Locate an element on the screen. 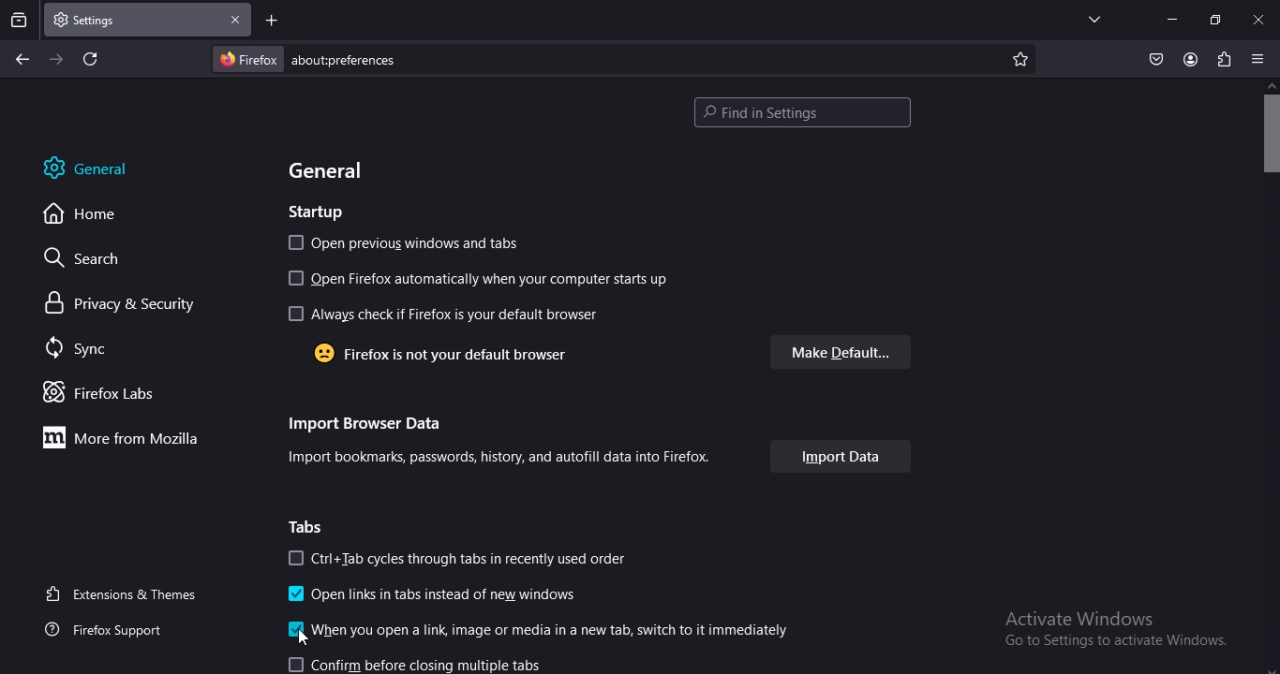  Ctri+Tab cycles through tabs in recently used order is located at coordinates (454, 558).